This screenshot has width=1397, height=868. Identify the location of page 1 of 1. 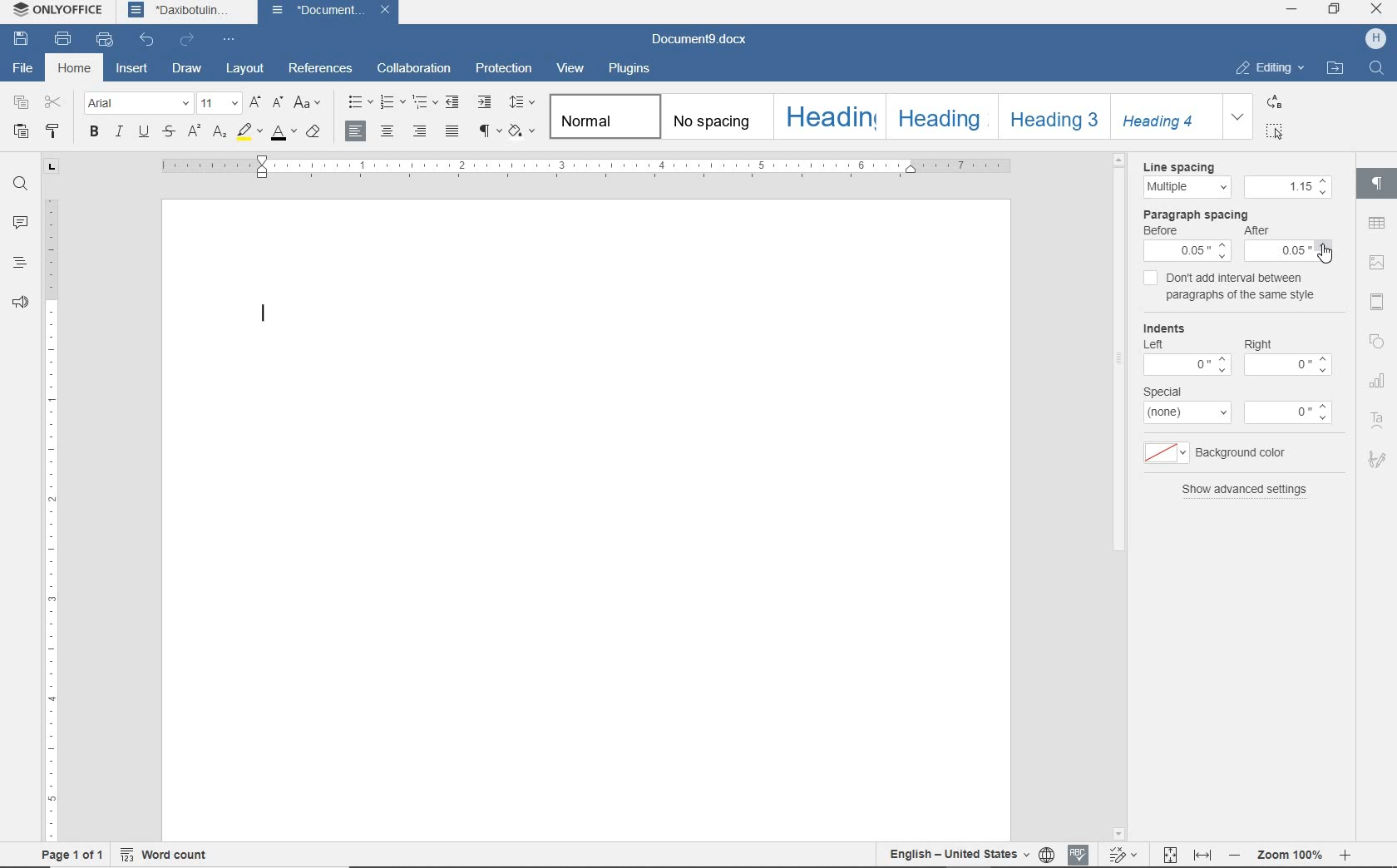
(71, 855).